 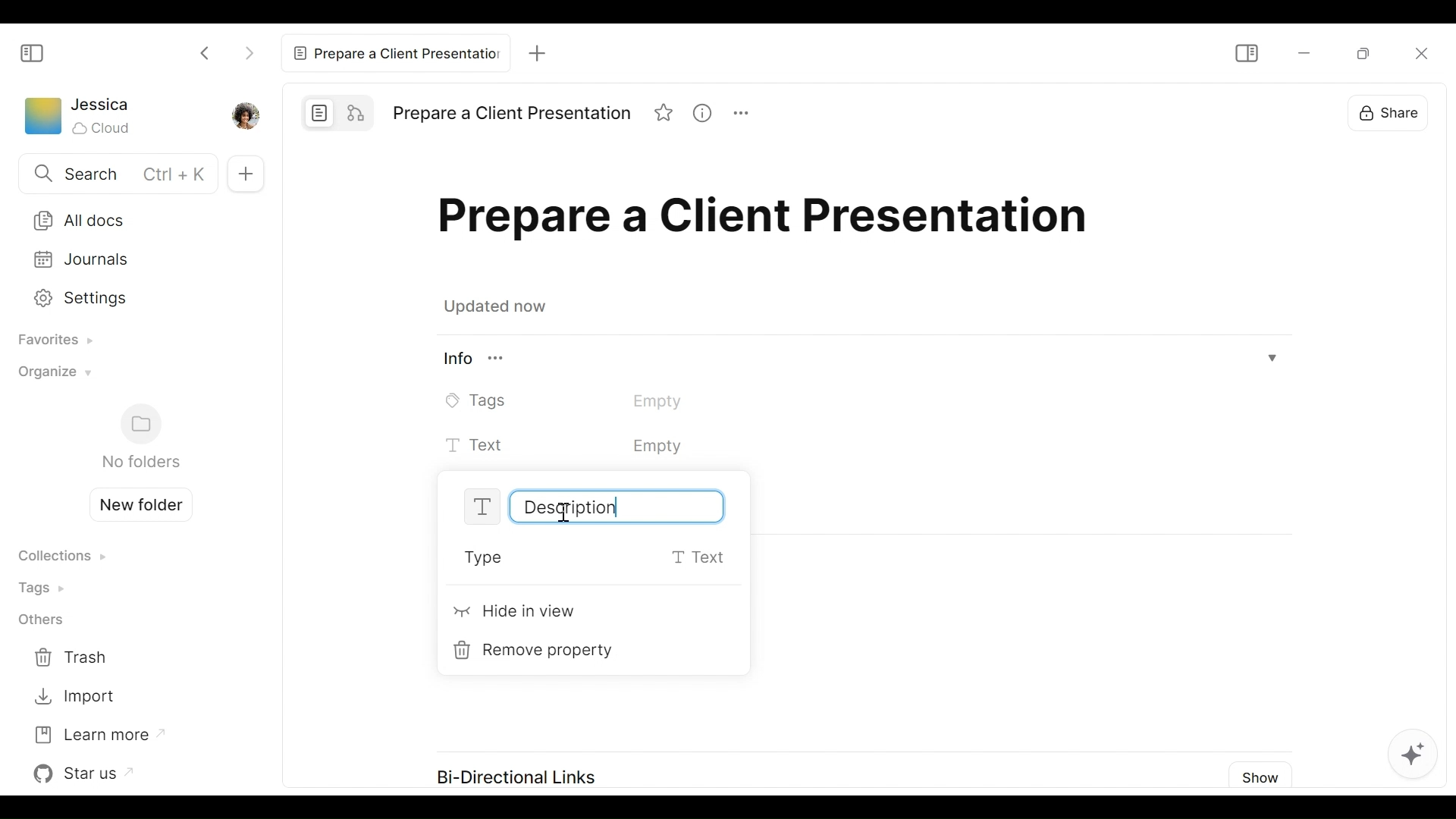 I want to click on Add new, so click(x=243, y=173).